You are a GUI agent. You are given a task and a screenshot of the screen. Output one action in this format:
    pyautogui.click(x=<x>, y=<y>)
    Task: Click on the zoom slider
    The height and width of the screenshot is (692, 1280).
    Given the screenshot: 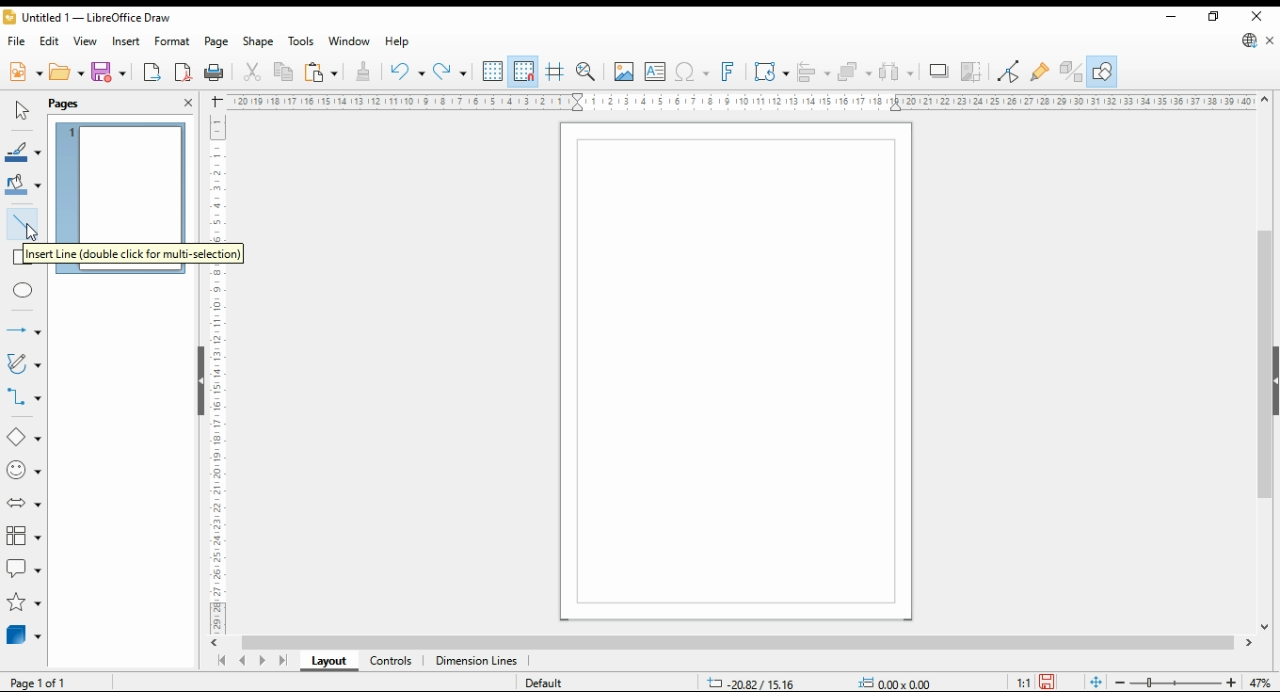 What is the action you would take?
    pyautogui.click(x=1177, y=684)
    